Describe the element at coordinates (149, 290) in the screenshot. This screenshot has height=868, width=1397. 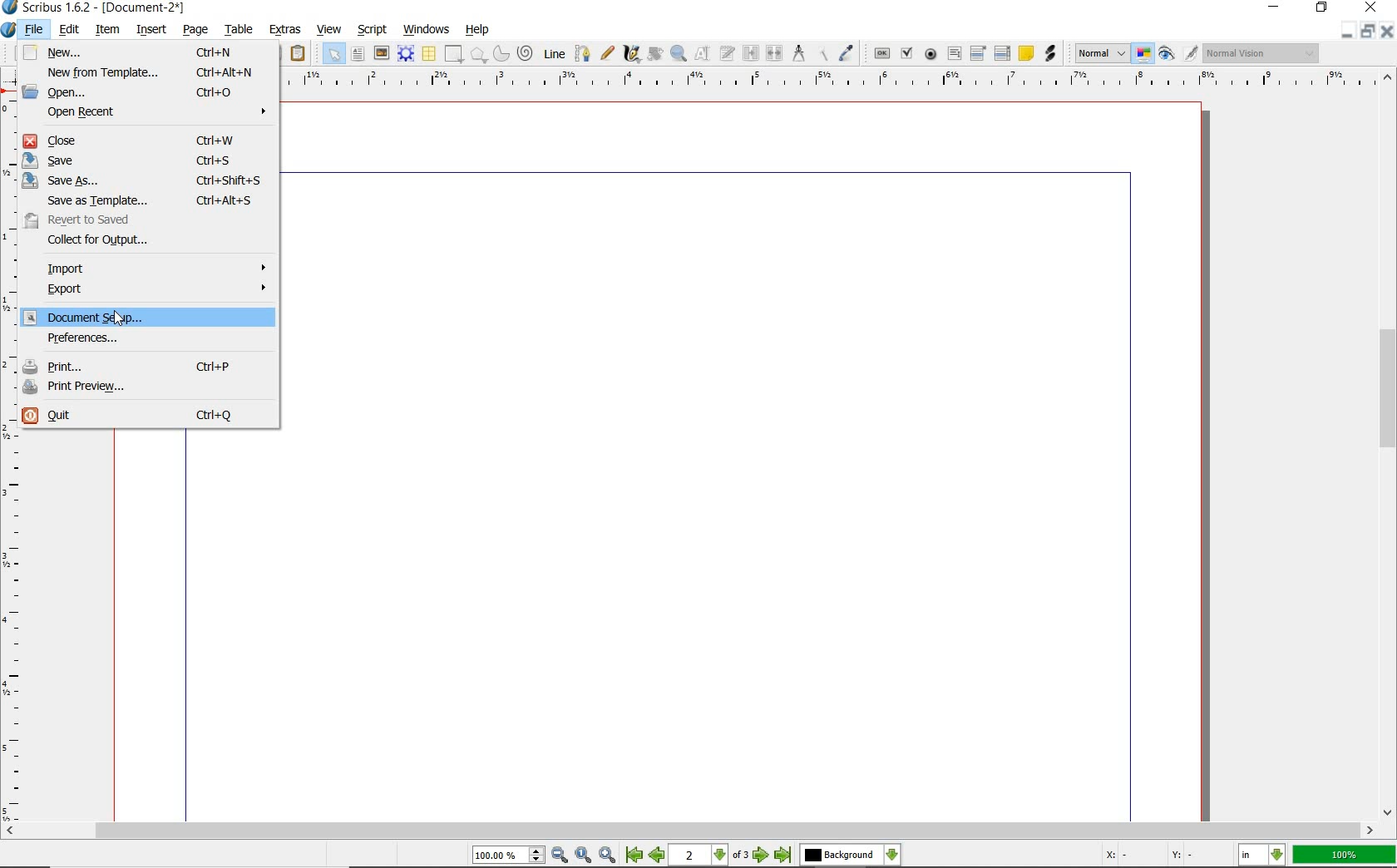
I see `export` at that location.